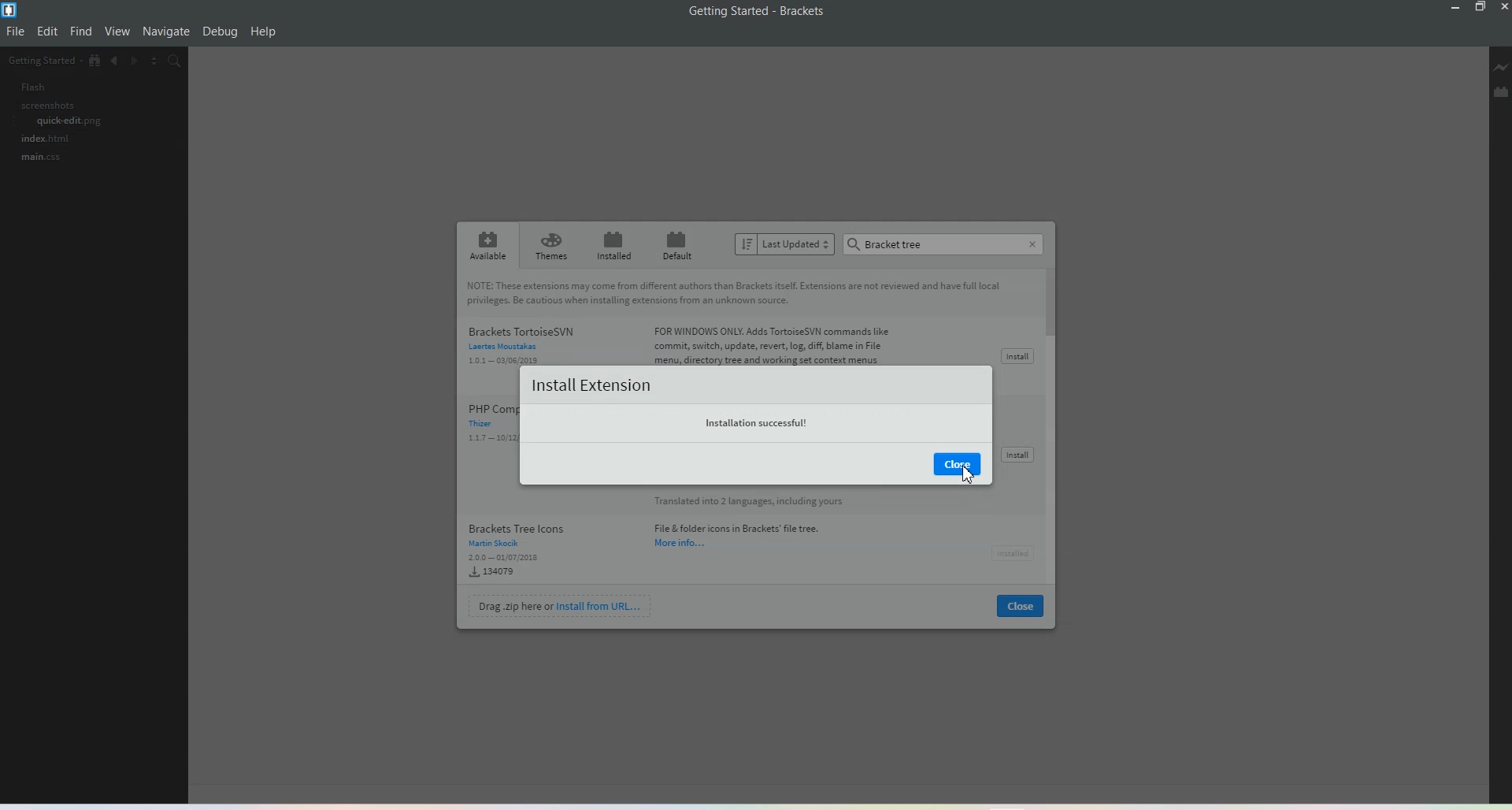 Image resolution: width=1512 pixels, height=810 pixels. Describe the element at coordinates (95, 61) in the screenshot. I see `Show in the file tree` at that location.